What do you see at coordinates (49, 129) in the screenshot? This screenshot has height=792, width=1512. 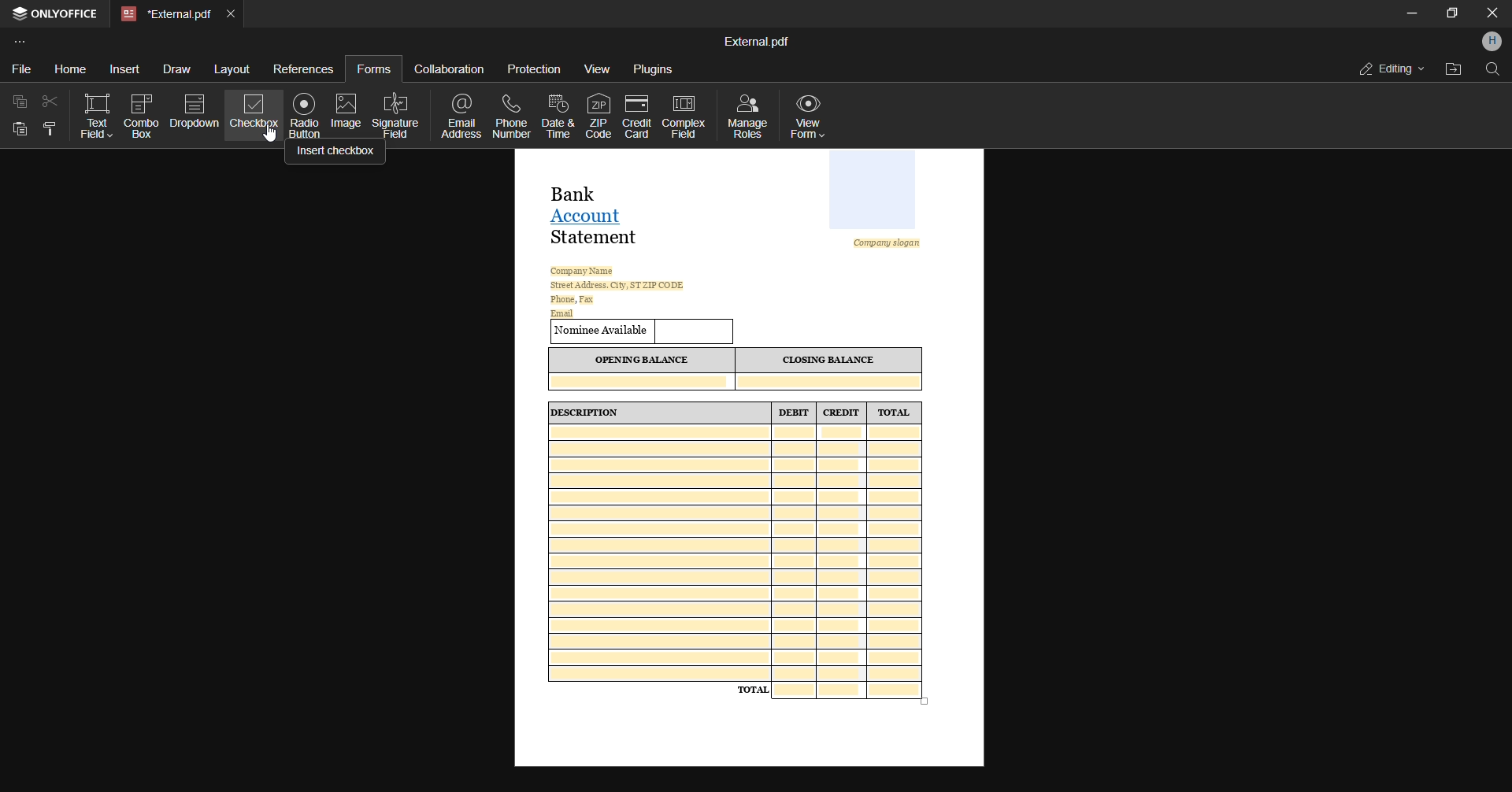 I see `copy style` at bounding box center [49, 129].